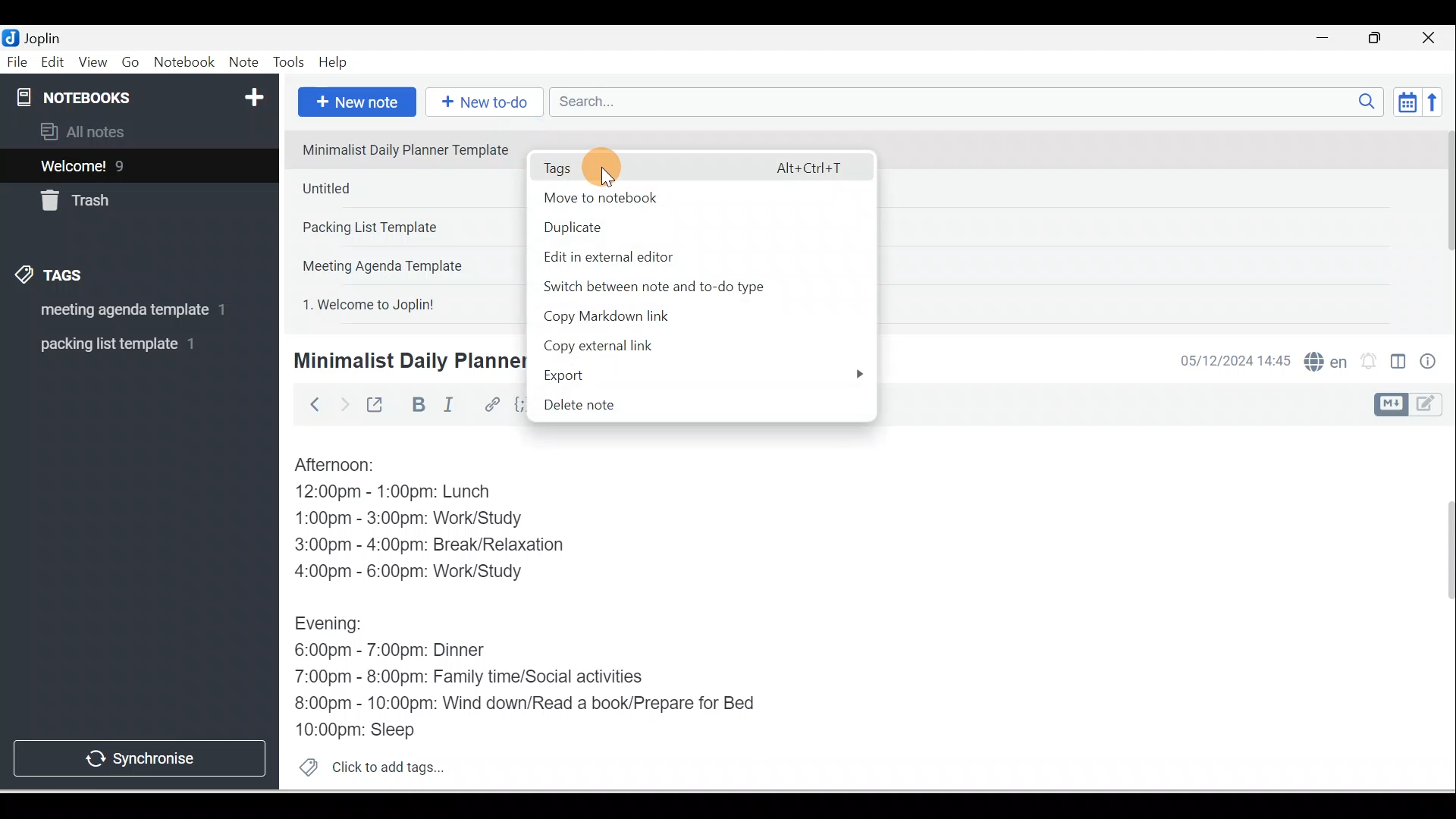 This screenshot has height=819, width=1456. Describe the element at coordinates (343, 403) in the screenshot. I see `Forward` at that location.